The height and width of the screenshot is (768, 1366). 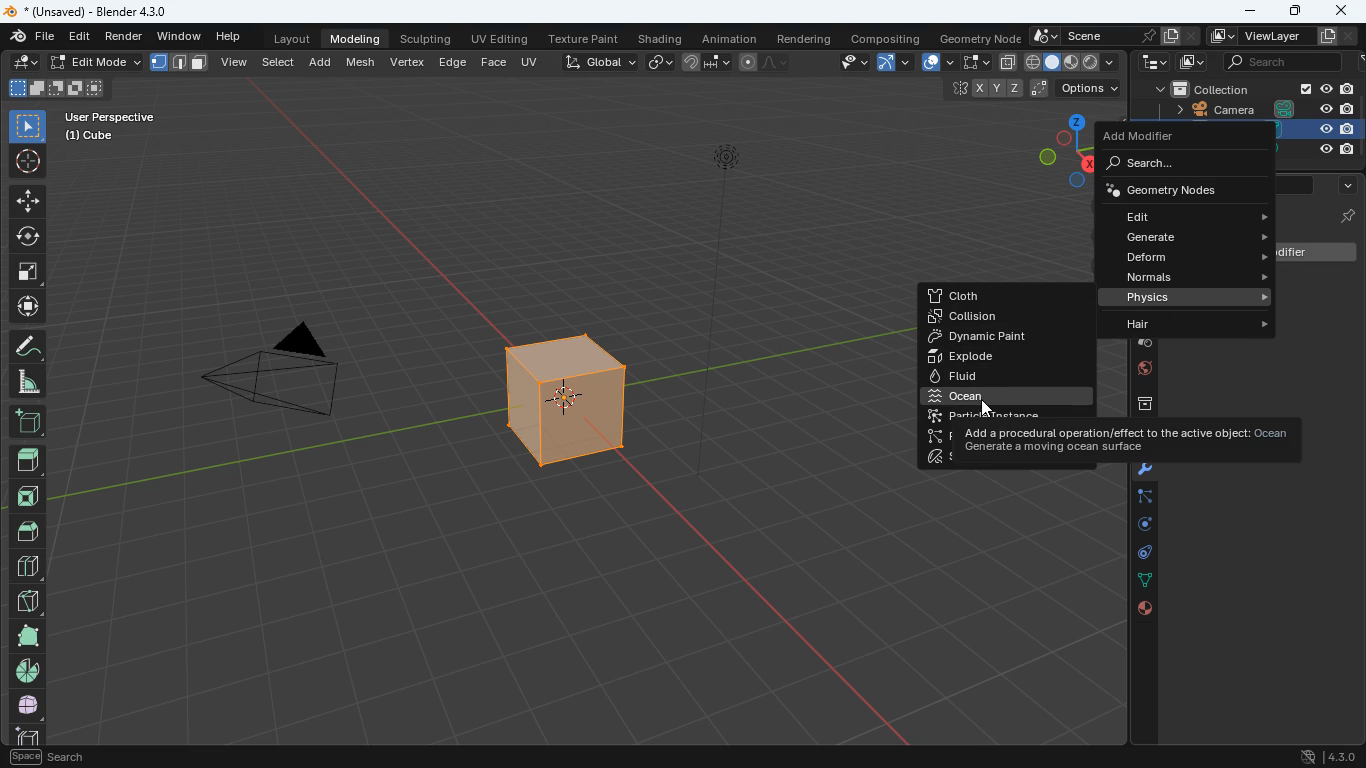 I want to click on uv editing, so click(x=500, y=38).